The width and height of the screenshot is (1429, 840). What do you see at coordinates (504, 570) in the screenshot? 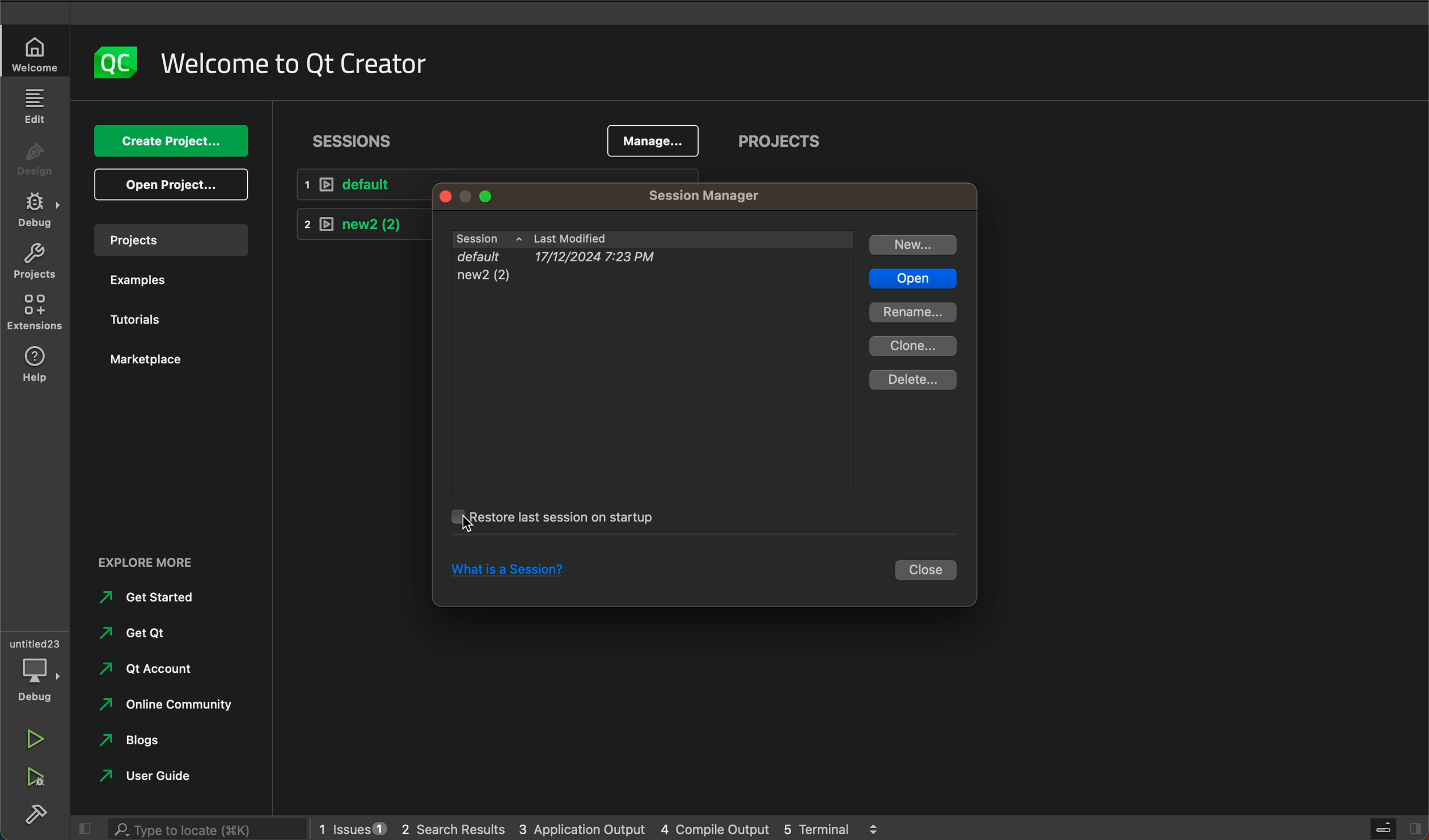
I see `session` at bounding box center [504, 570].